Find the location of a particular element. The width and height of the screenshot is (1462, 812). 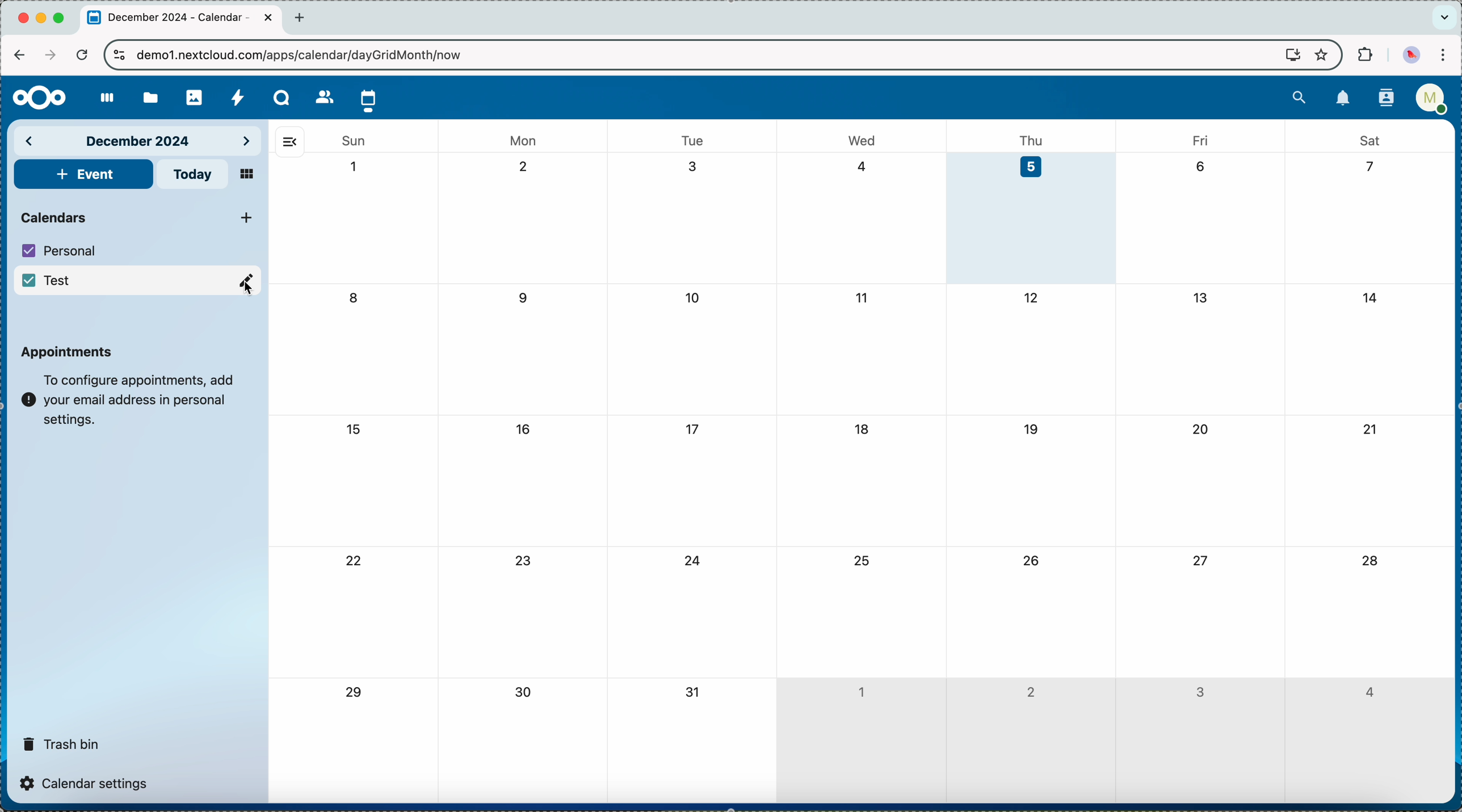

search tabs is located at coordinates (1444, 18).